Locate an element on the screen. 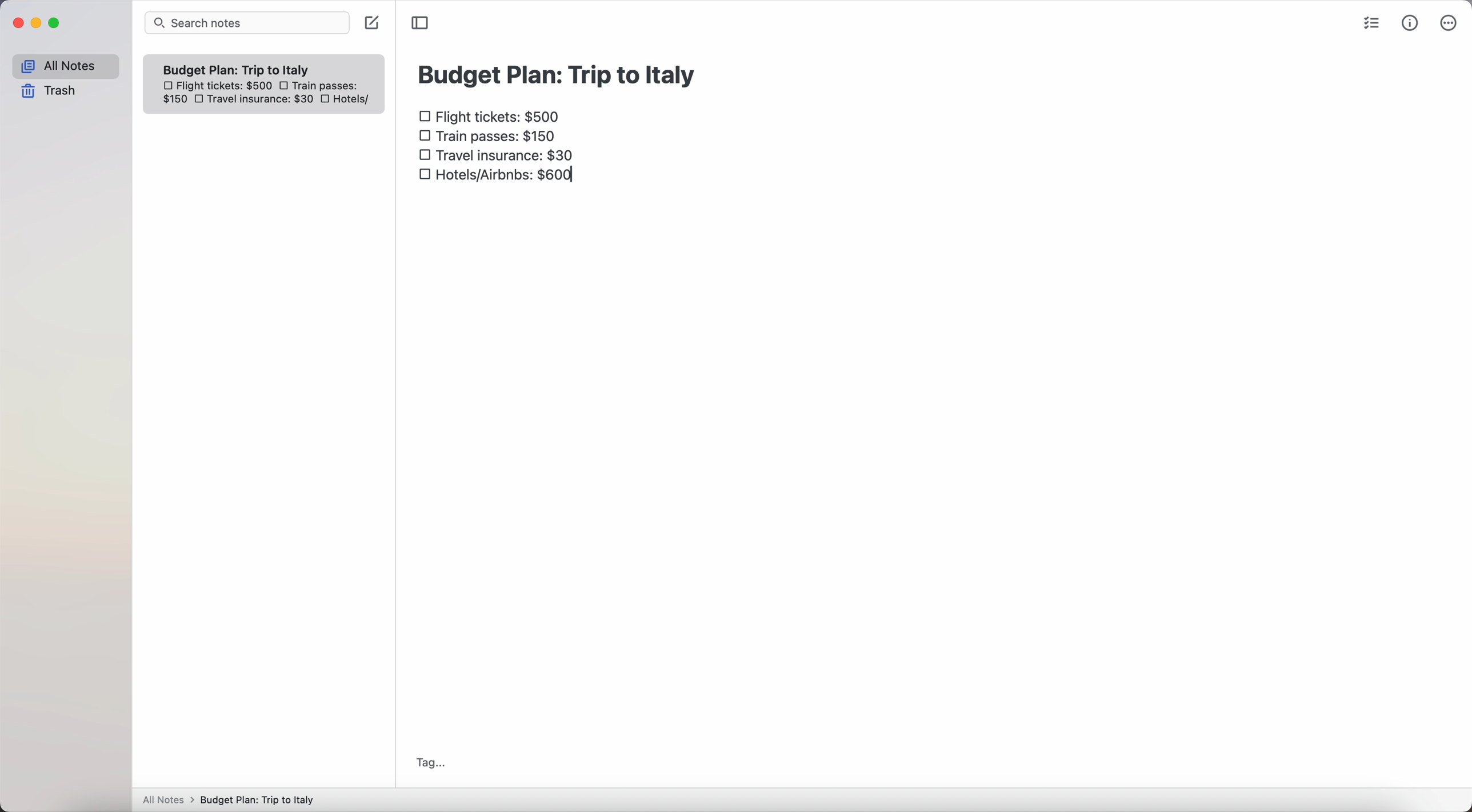 Image resolution: width=1472 pixels, height=812 pixels. trash is located at coordinates (49, 91).